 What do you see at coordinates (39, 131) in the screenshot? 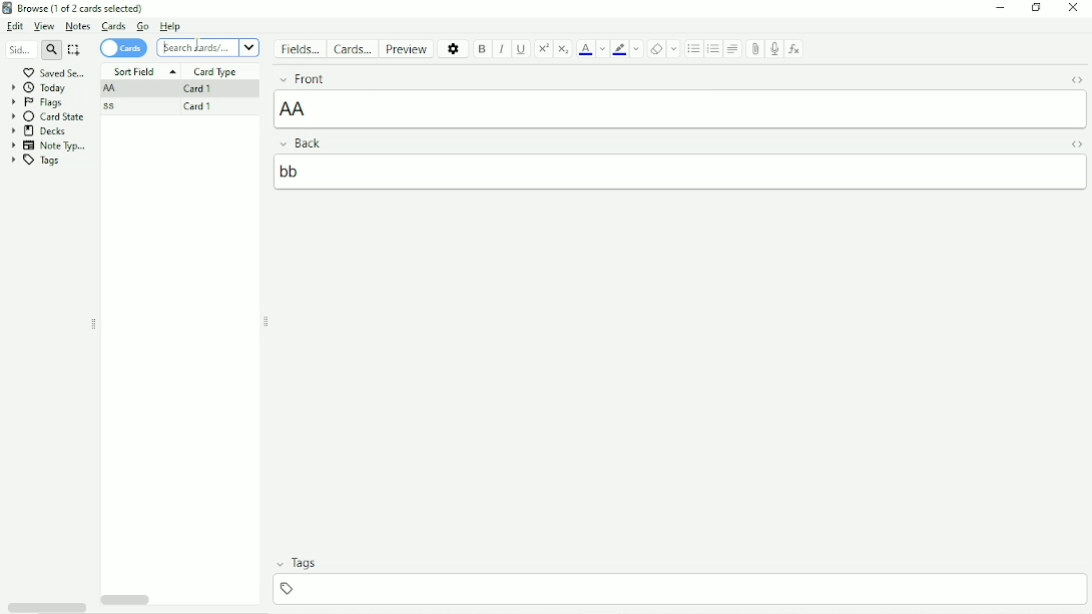
I see `Decks` at bounding box center [39, 131].